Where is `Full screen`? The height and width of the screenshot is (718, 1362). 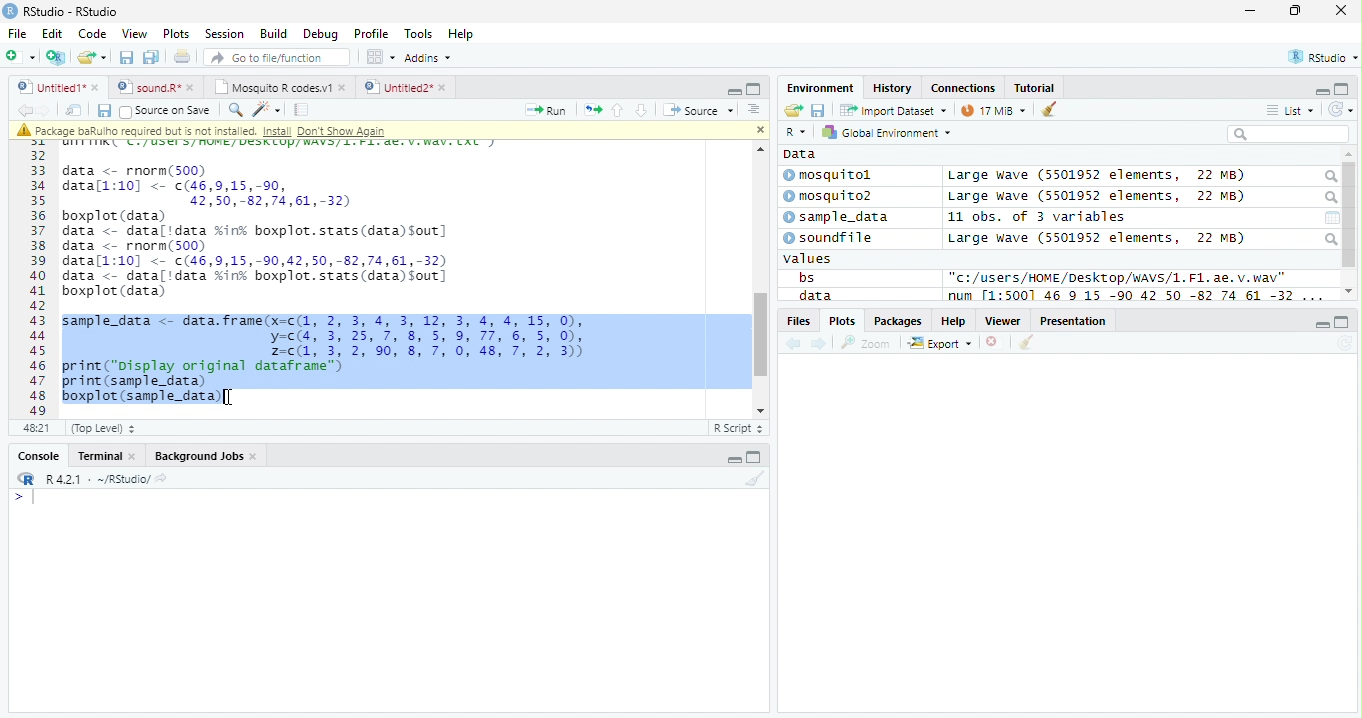 Full screen is located at coordinates (753, 89).